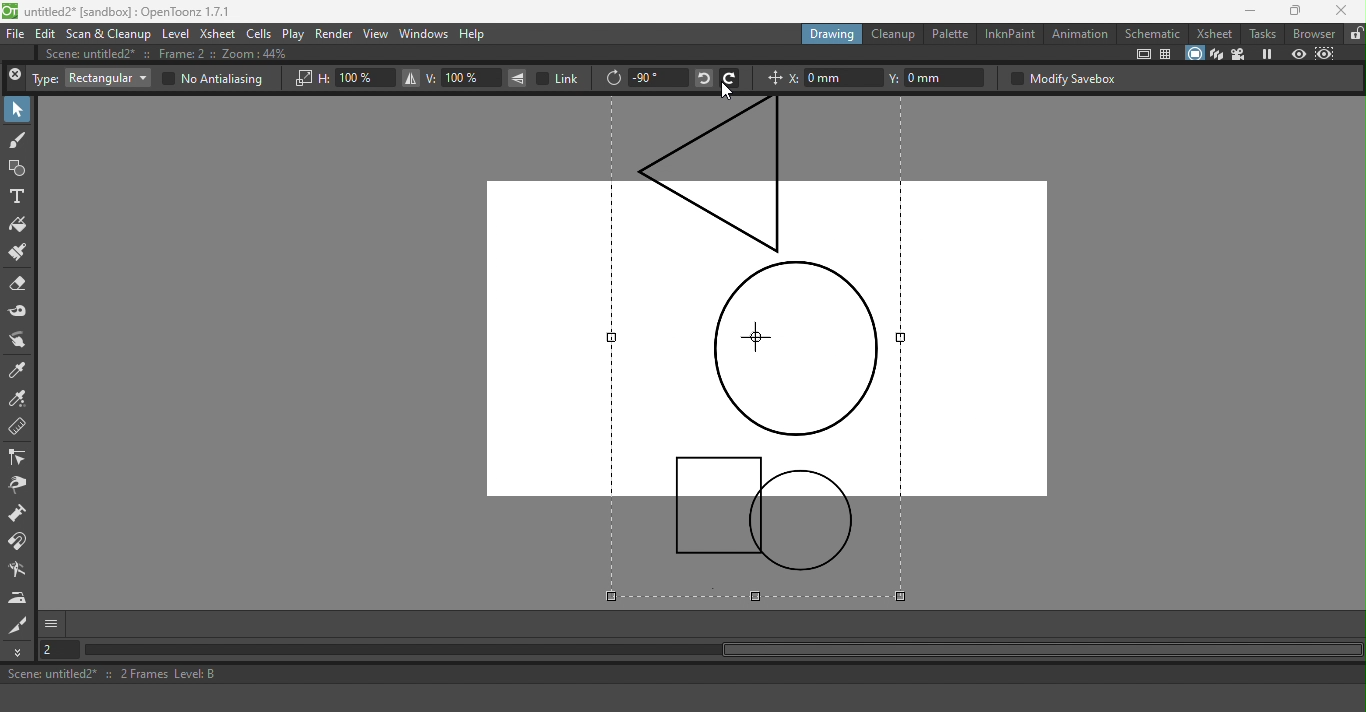  Describe the element at coordinates (1142, 54) in the screenshot. I see `Safe area` at that location.